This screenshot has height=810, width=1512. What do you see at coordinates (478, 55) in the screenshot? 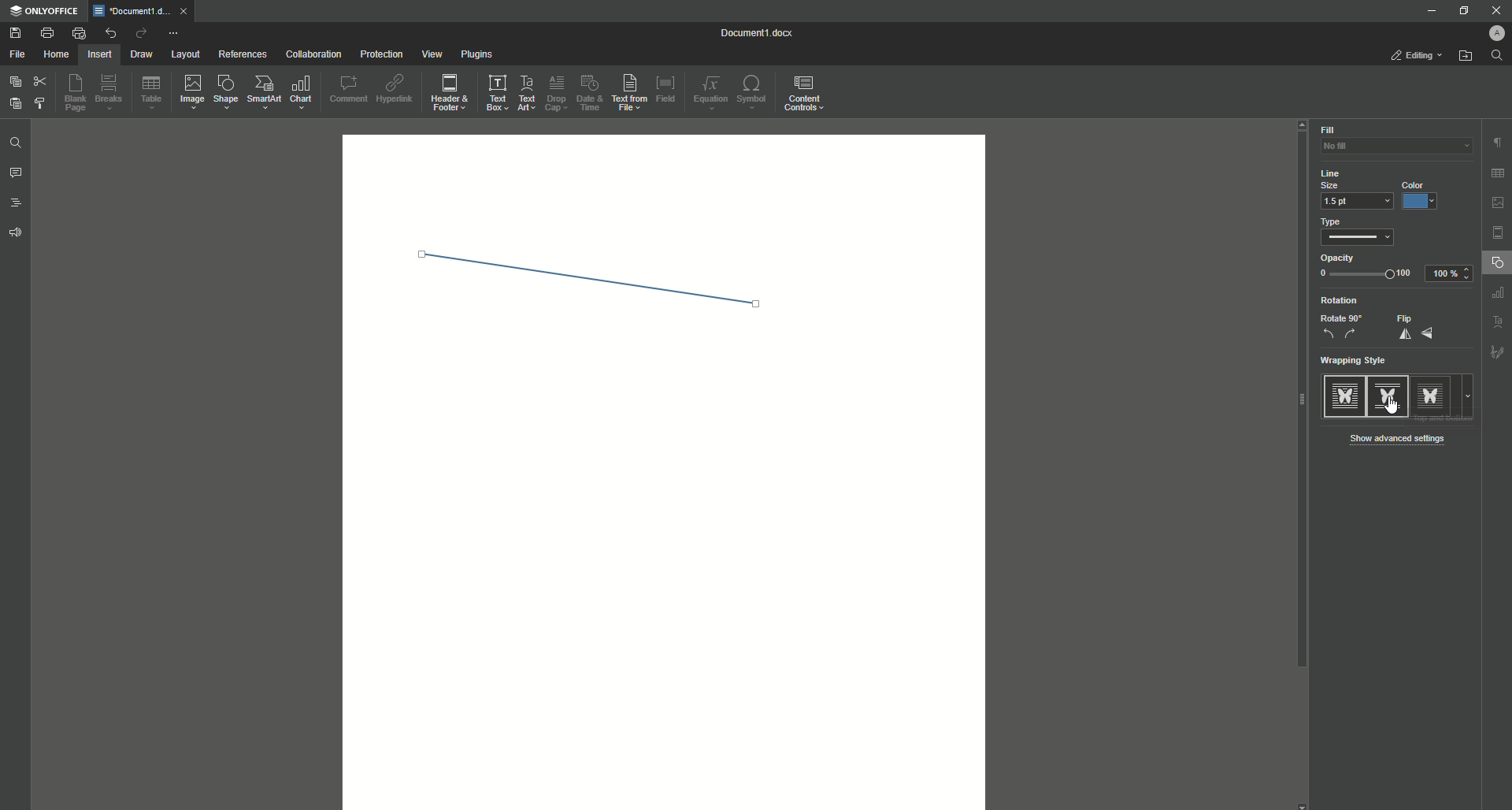
I see `Plugins` at bounding box center [478, 55].